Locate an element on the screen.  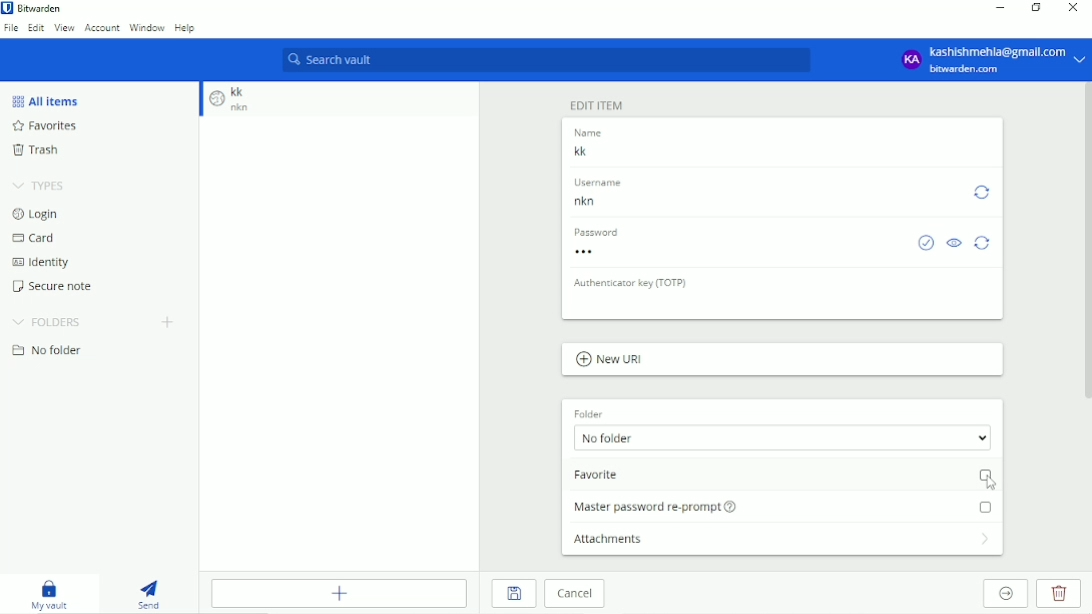
Trash is located at coordinates (39, 150).